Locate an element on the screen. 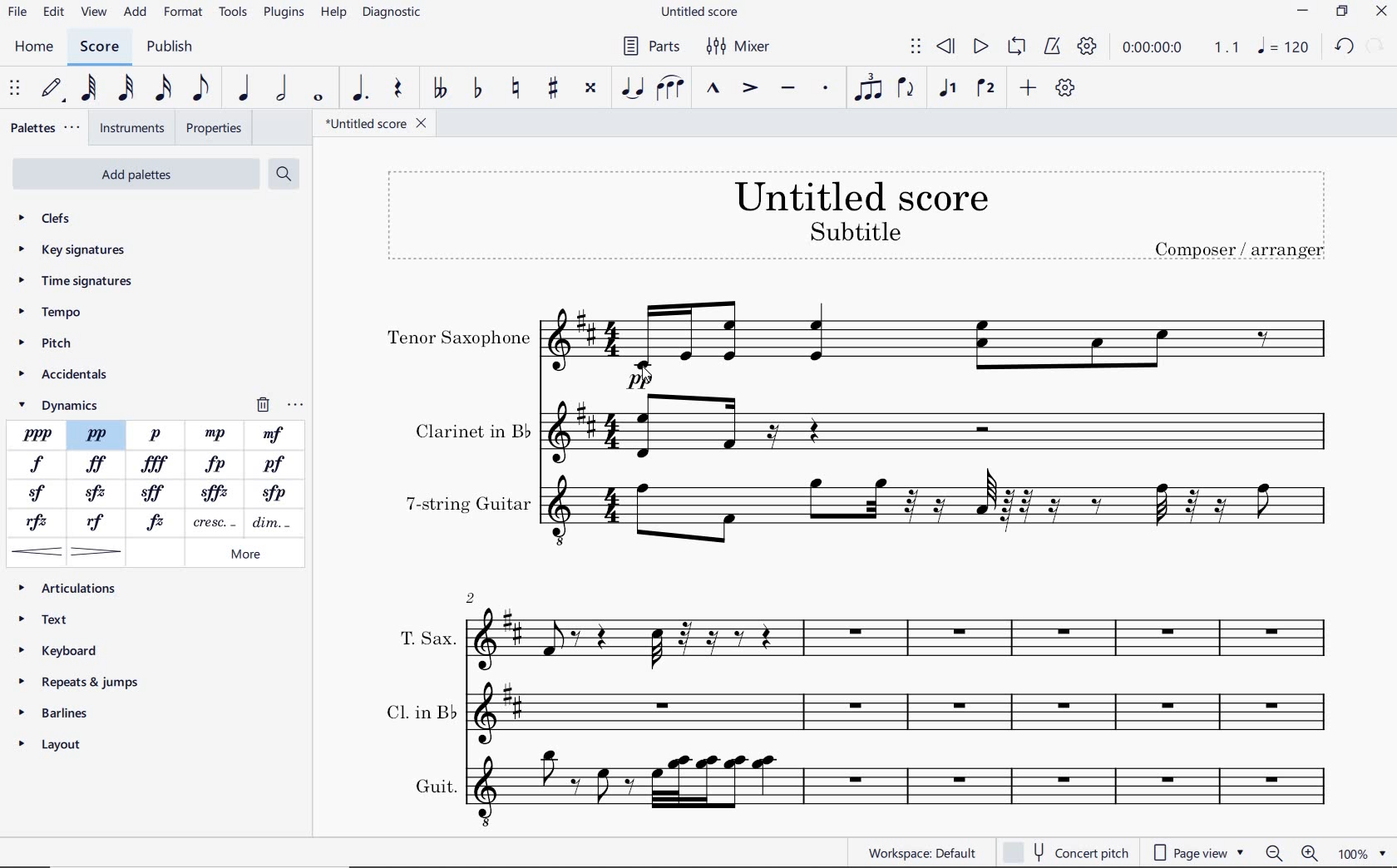  zoom out is located at coordinates (1275, 853).